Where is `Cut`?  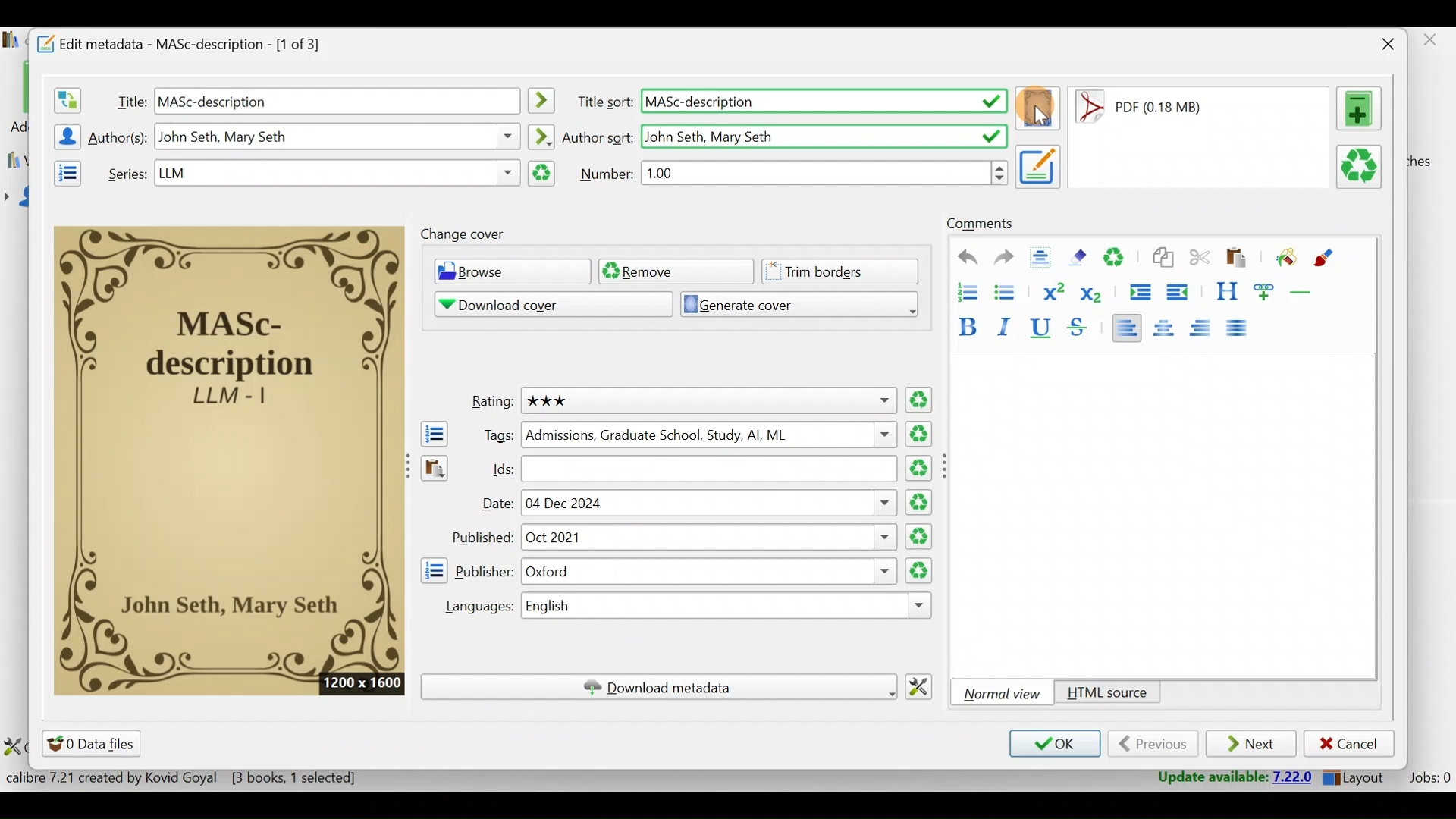 Cut is located at coordinates (1200, 260).